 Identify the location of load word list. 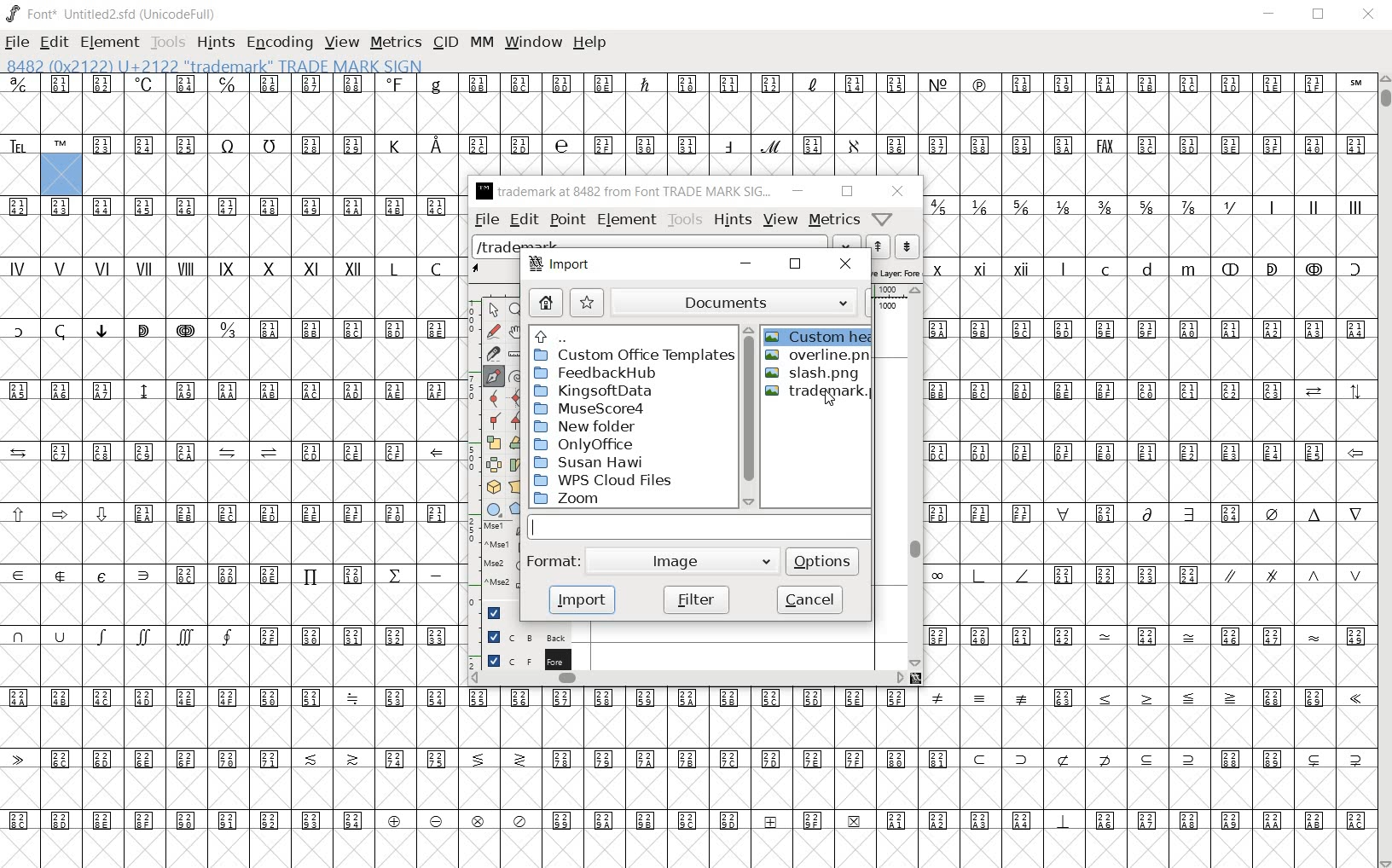
(666, 242).